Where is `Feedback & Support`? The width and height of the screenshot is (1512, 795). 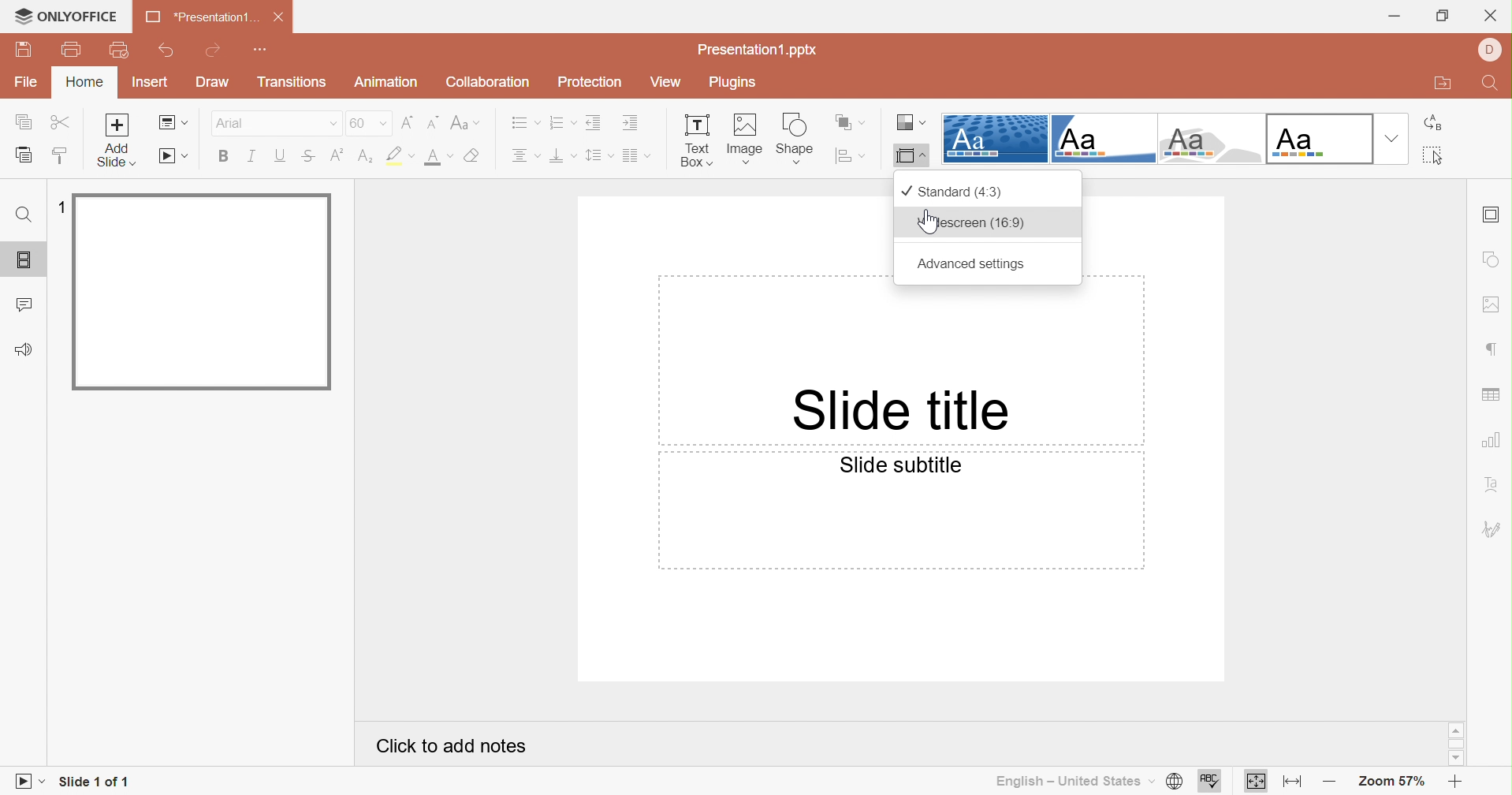 Feedback & Support is located at coordinates (21, 348).